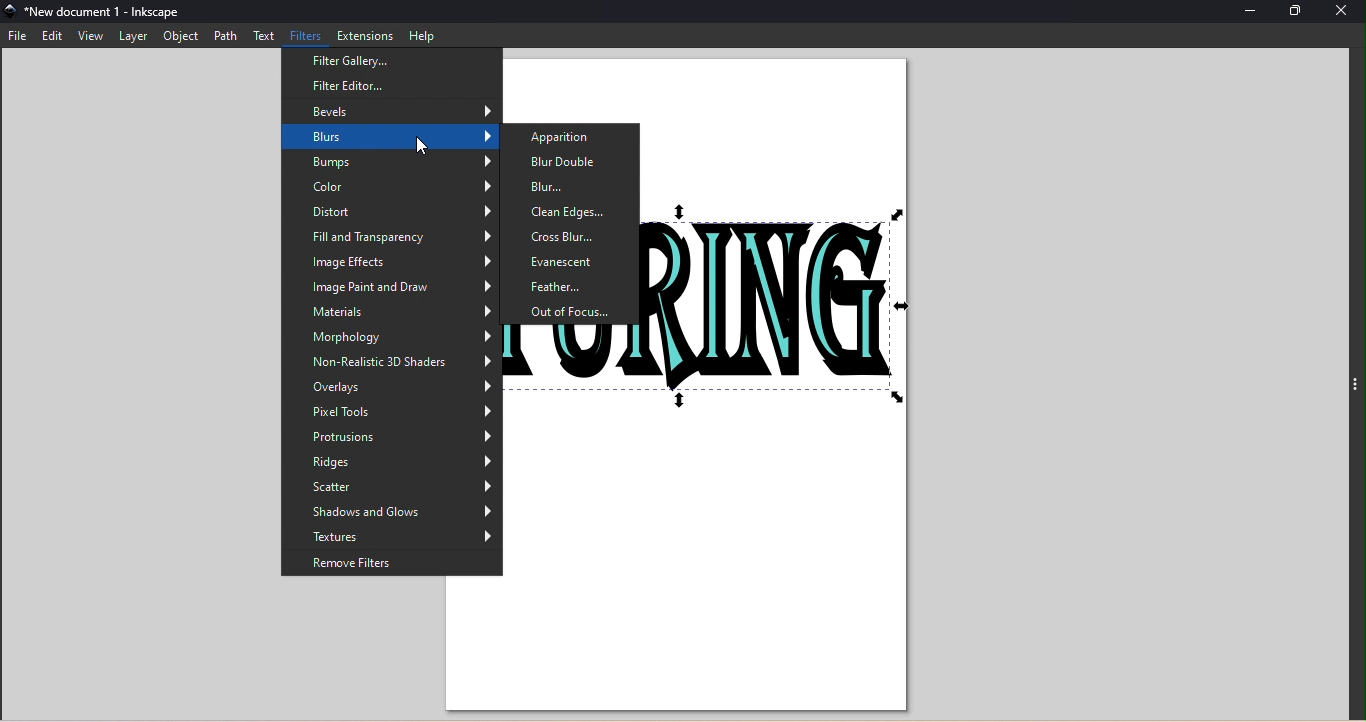  What do you see at coordinates (393, 566) in the screenshot?
I see `Remove filters` at bounding box center [393, 566].